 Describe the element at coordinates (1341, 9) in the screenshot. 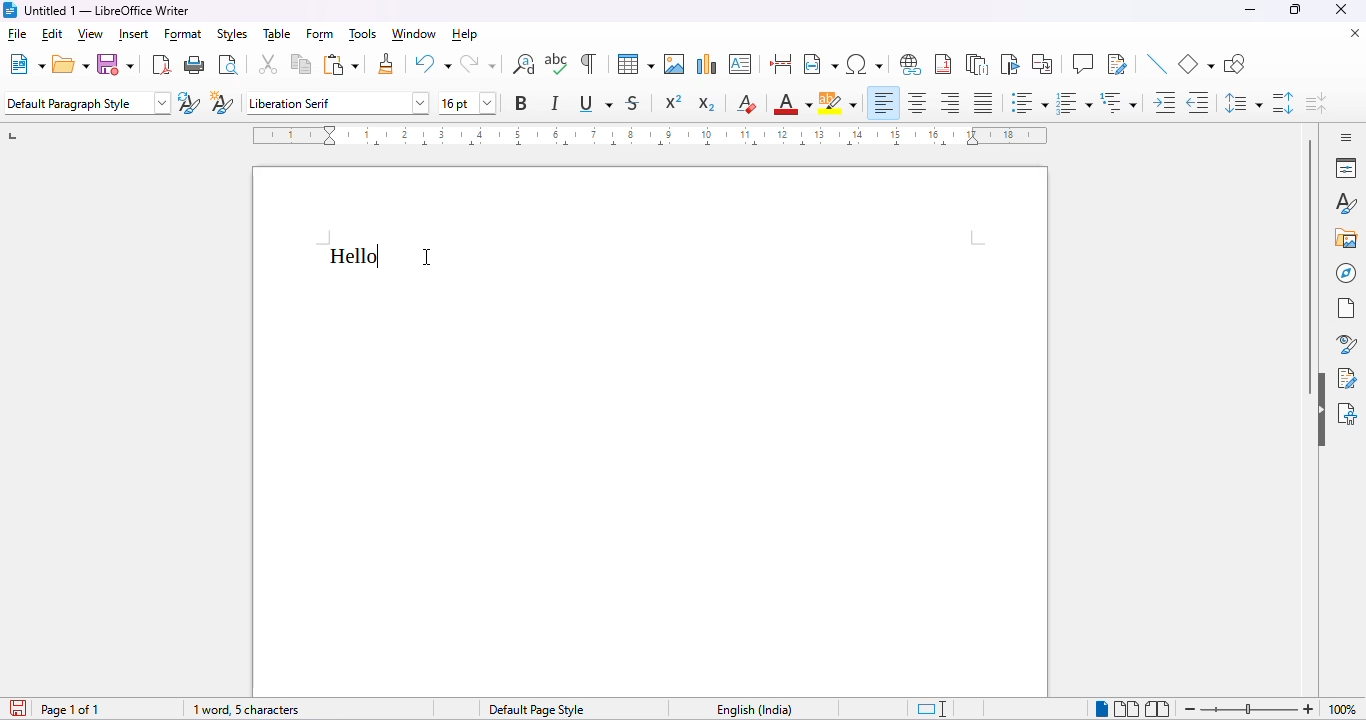

I see `close` at that location.